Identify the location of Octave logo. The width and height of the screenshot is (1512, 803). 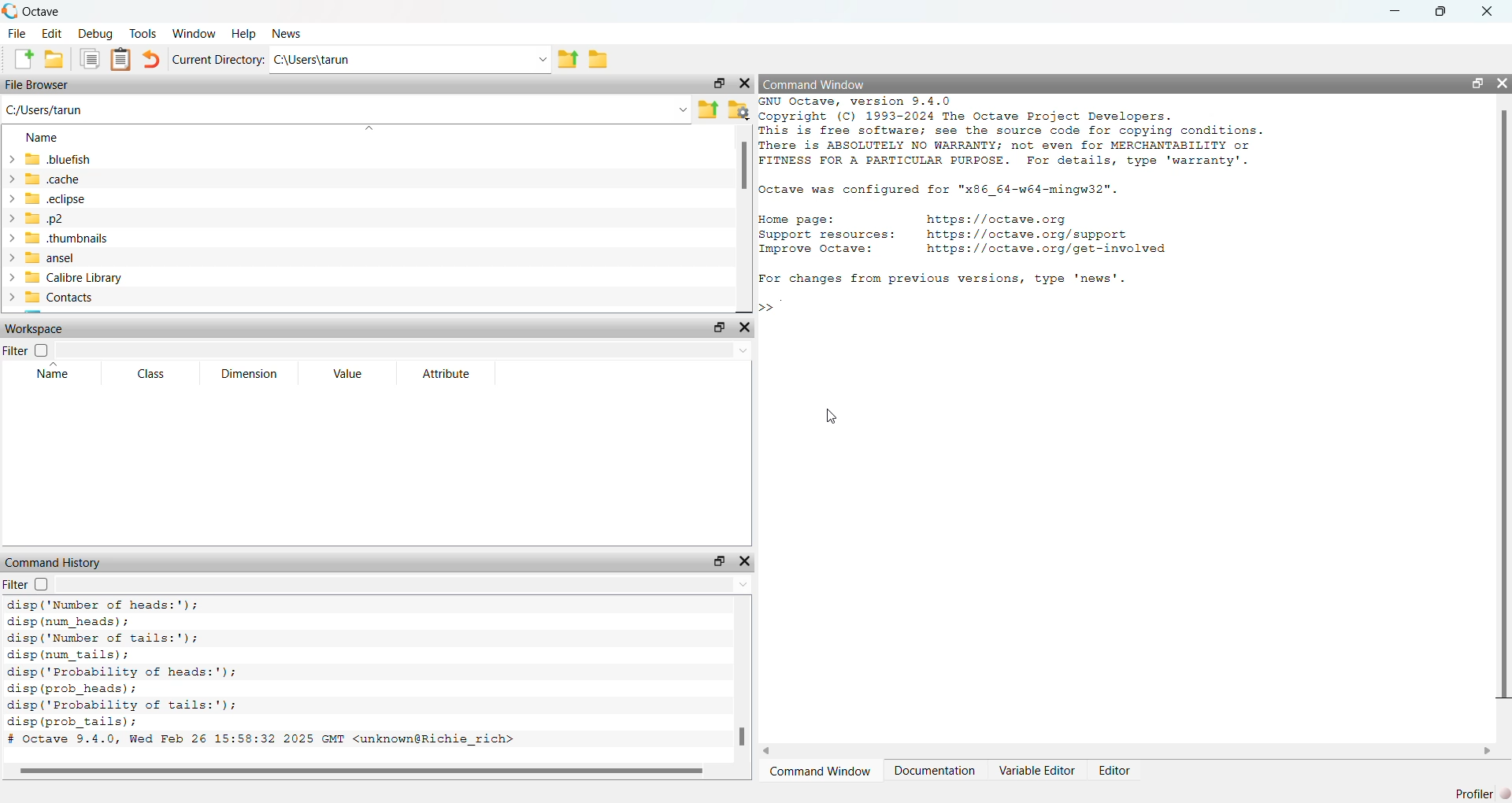
(10, 11).